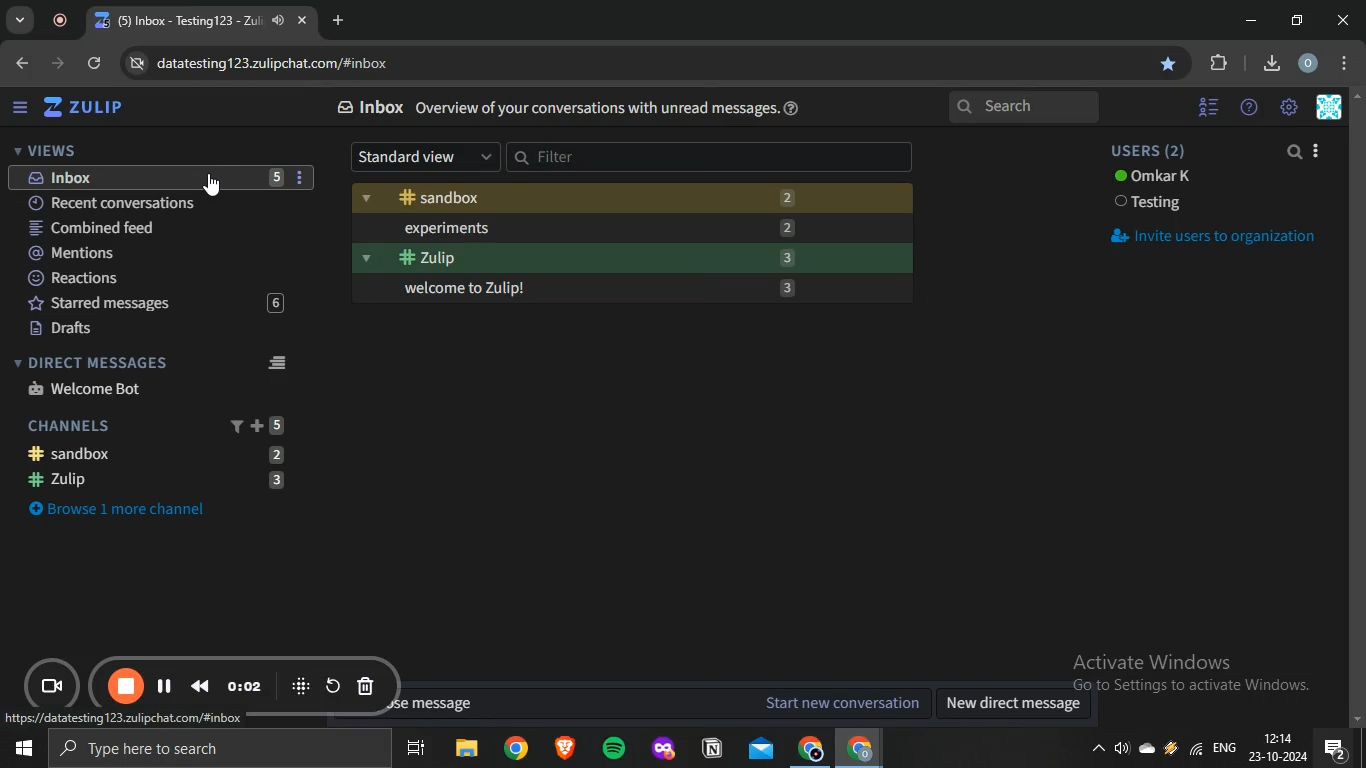  I want to click on google chrome, so click(809, 749).